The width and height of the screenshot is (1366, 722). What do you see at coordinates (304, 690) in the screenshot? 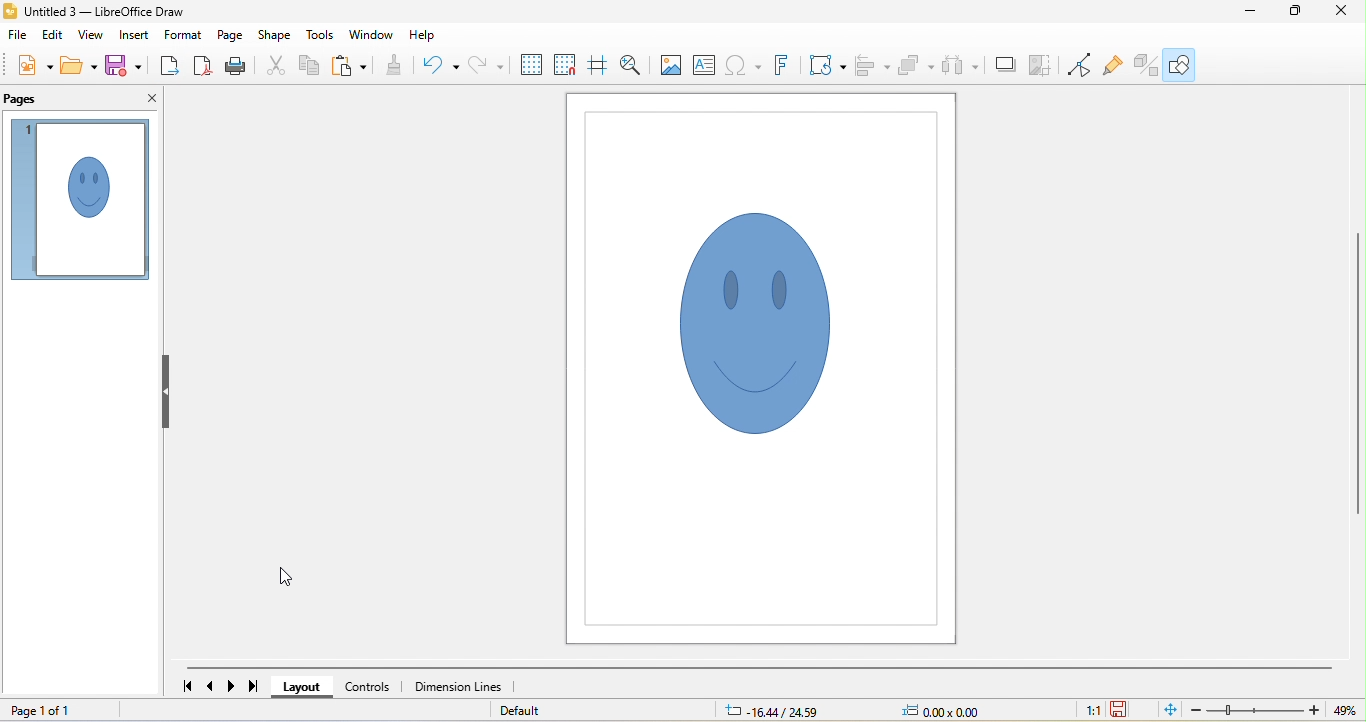
I see `layout` at bounding box center [304, 690].